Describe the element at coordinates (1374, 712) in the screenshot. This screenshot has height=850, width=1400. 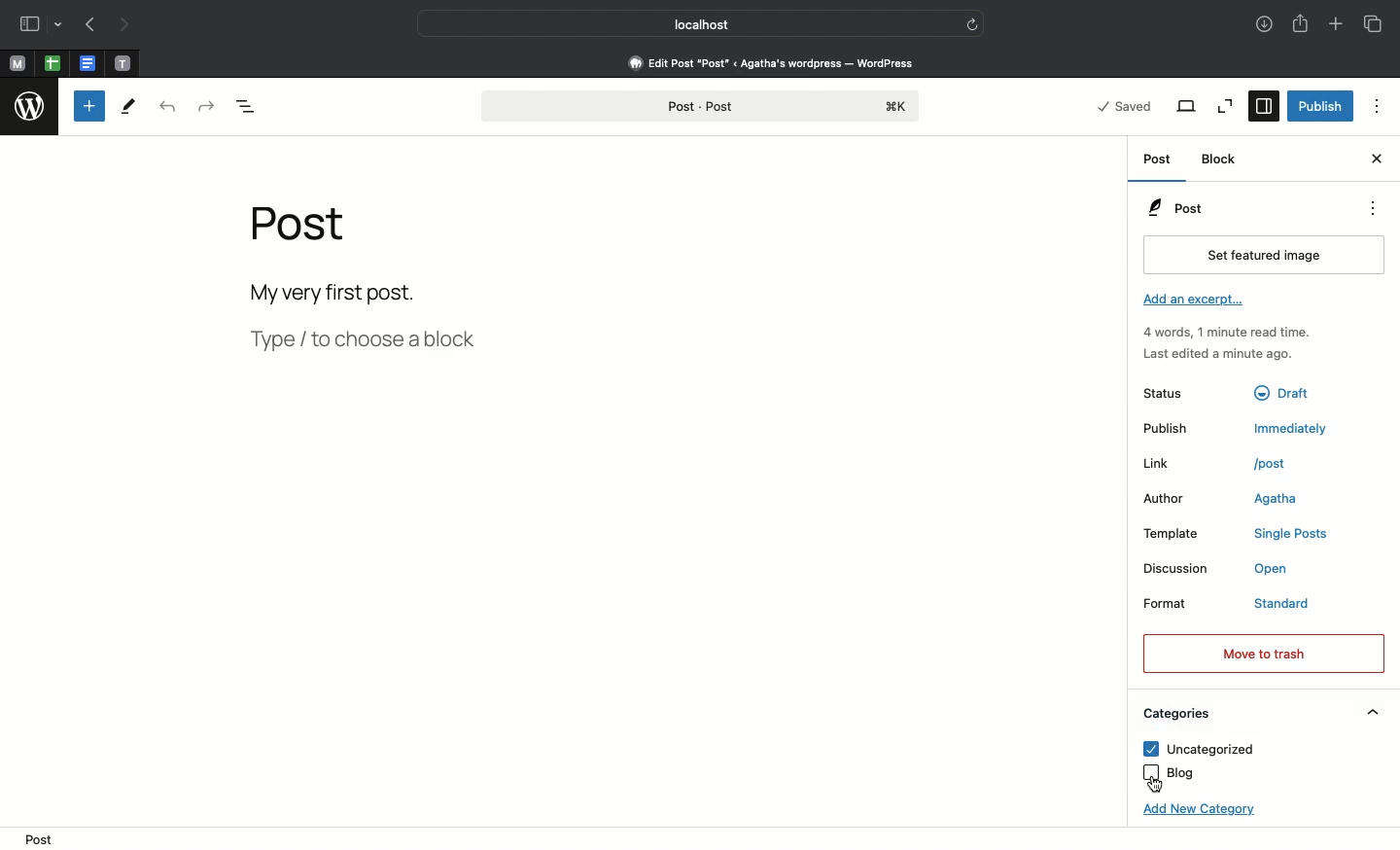
I see `Hide` at that location.